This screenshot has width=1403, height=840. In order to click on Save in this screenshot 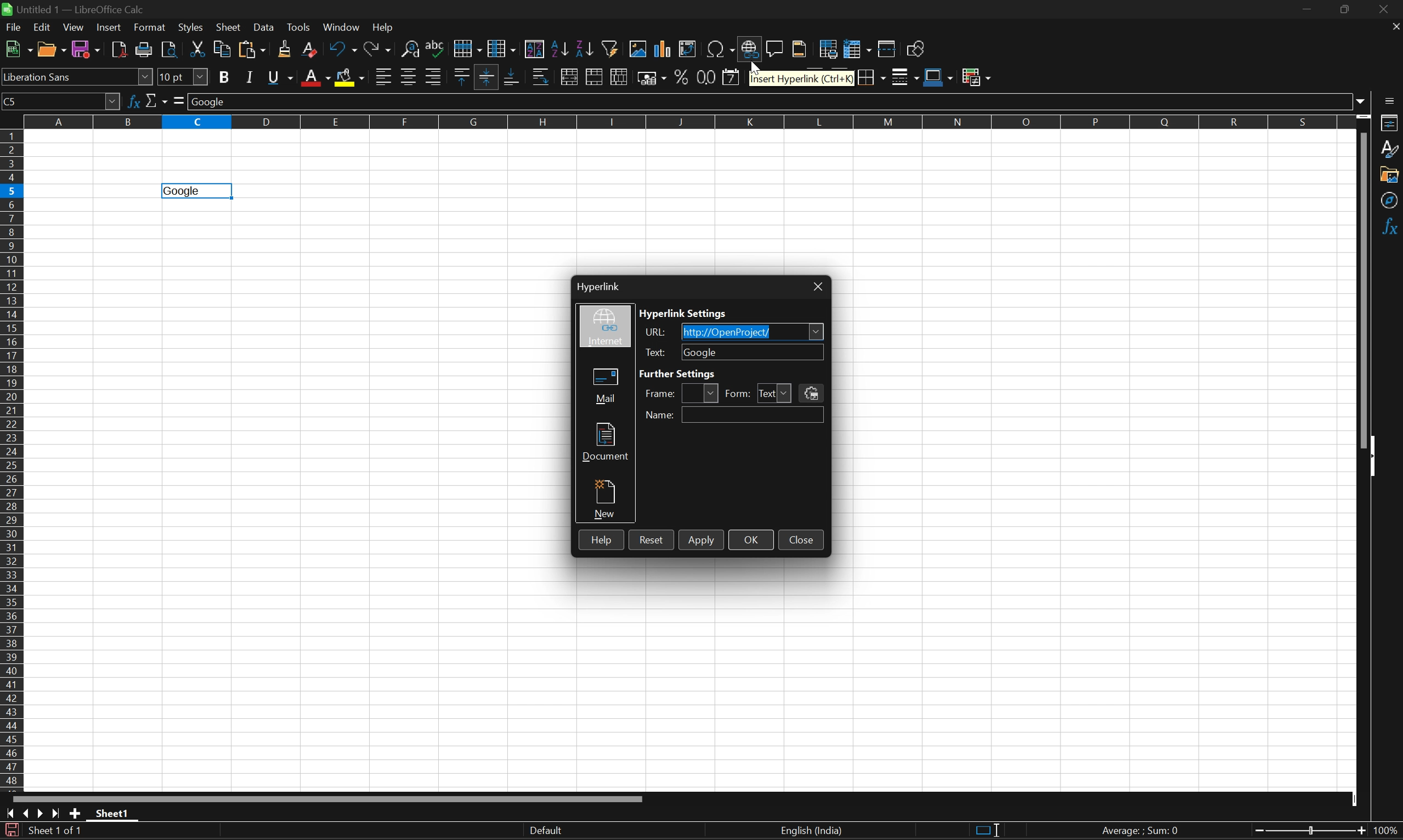, I will do `click(86, 48)`.